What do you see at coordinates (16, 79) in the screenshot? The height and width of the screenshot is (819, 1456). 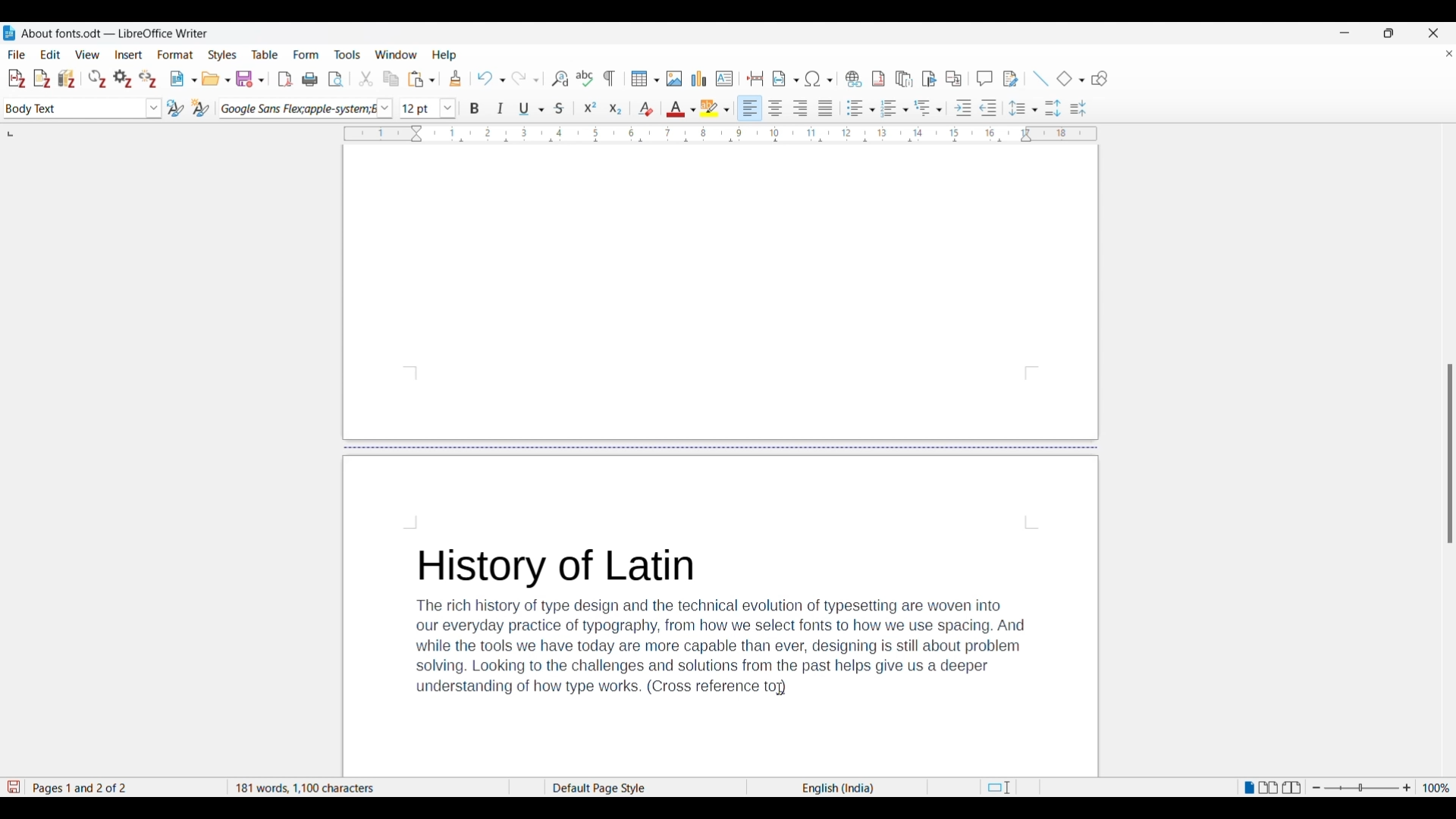 I see `Add/Edit citation` at bounding box center [16, 79].